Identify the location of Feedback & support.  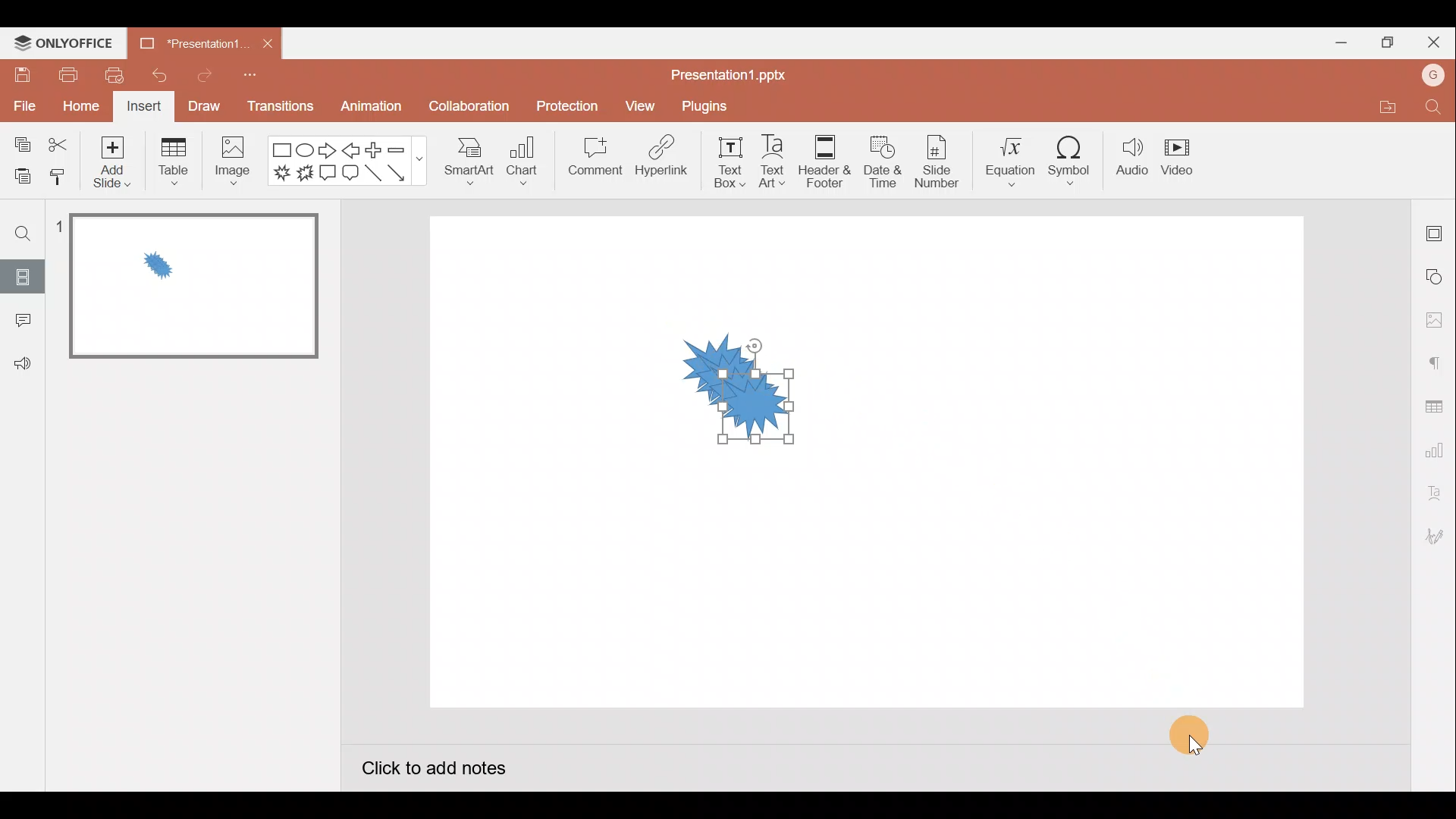
(22, 365).